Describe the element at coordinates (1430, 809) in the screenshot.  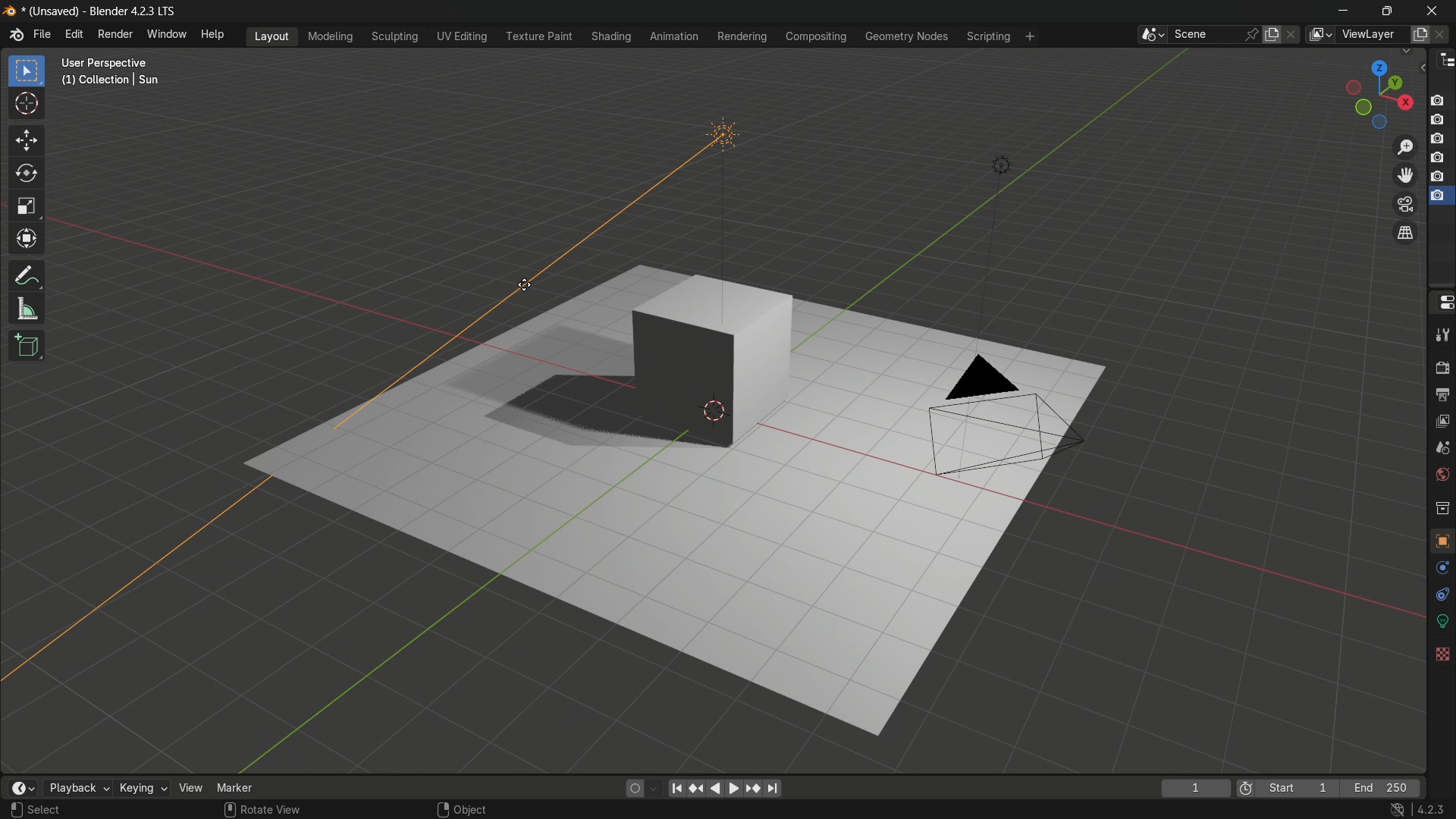
I see `4.2.3` at that location.